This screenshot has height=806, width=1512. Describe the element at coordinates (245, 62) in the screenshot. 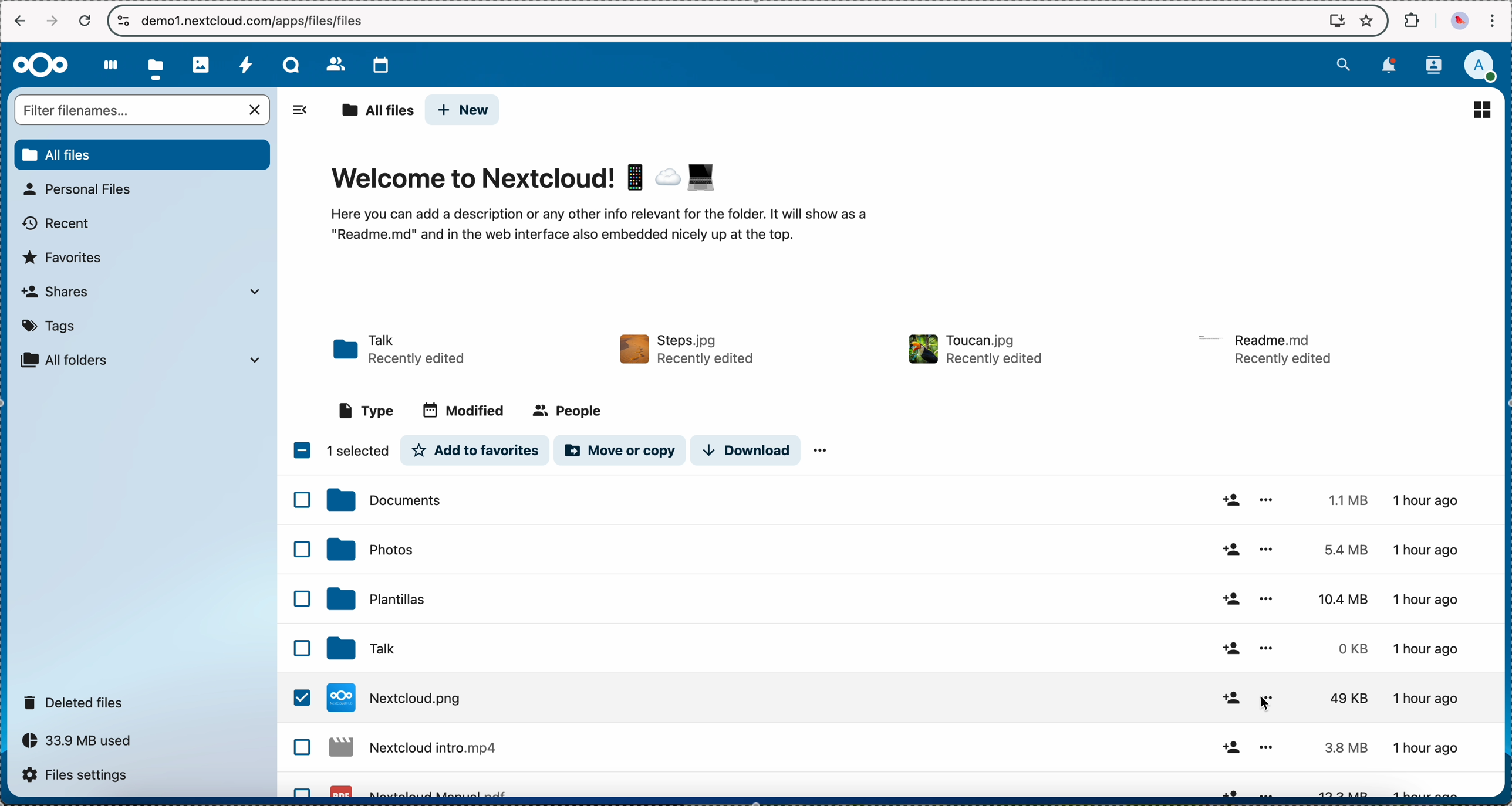

I see `activity` at that location.